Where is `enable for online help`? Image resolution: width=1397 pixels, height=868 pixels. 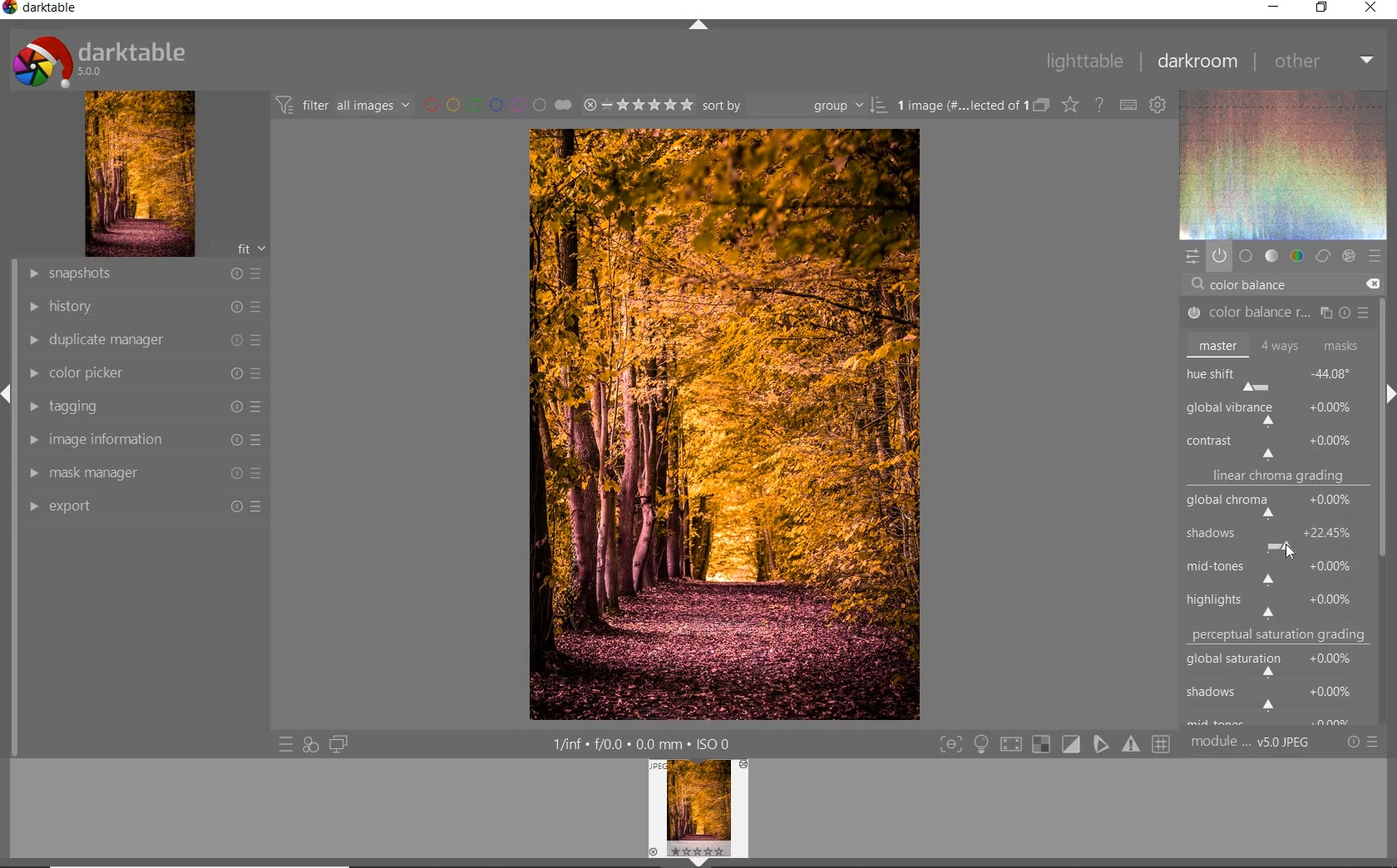 enable for online help is located at coordinates (1101, 105).